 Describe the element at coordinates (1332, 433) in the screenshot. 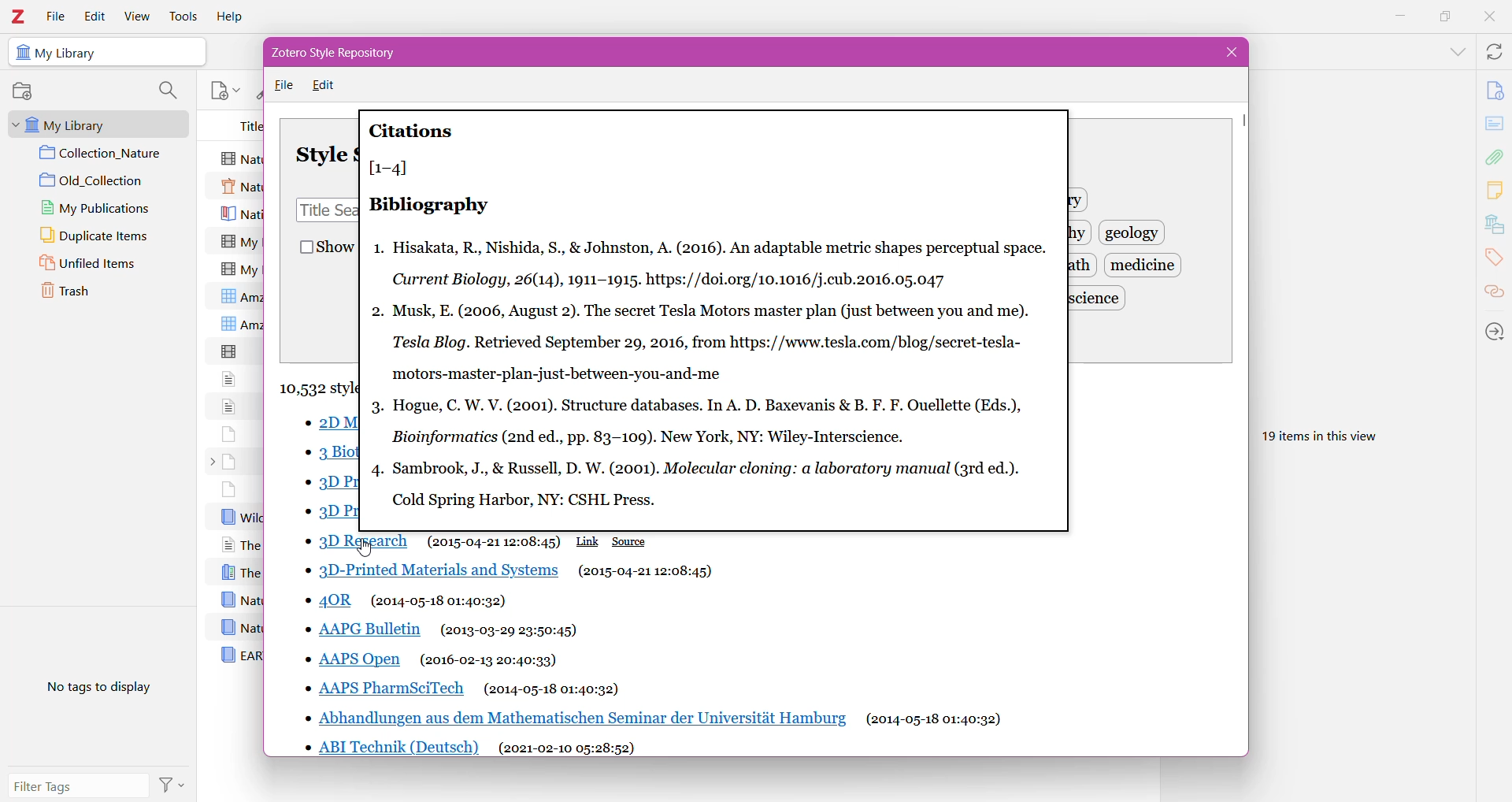

I see `19 items in this view` at that location.